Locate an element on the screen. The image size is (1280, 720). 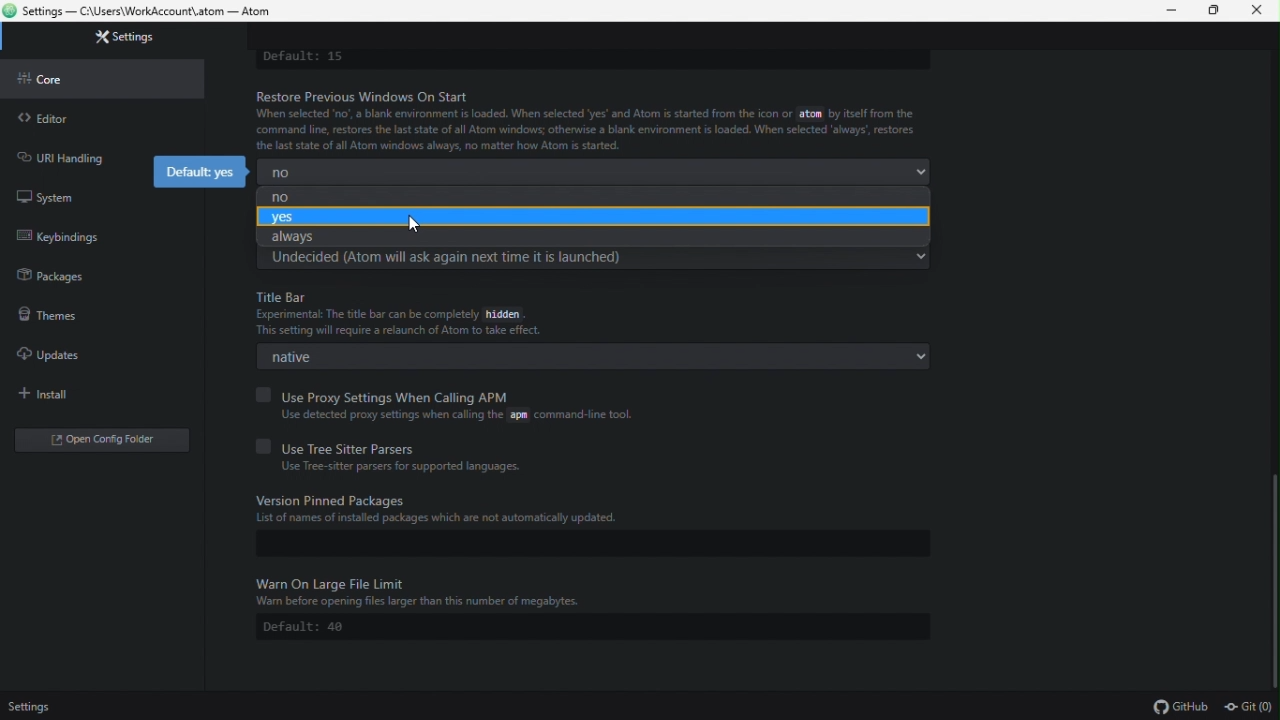
atom logo is located at coordinates (10, 12).